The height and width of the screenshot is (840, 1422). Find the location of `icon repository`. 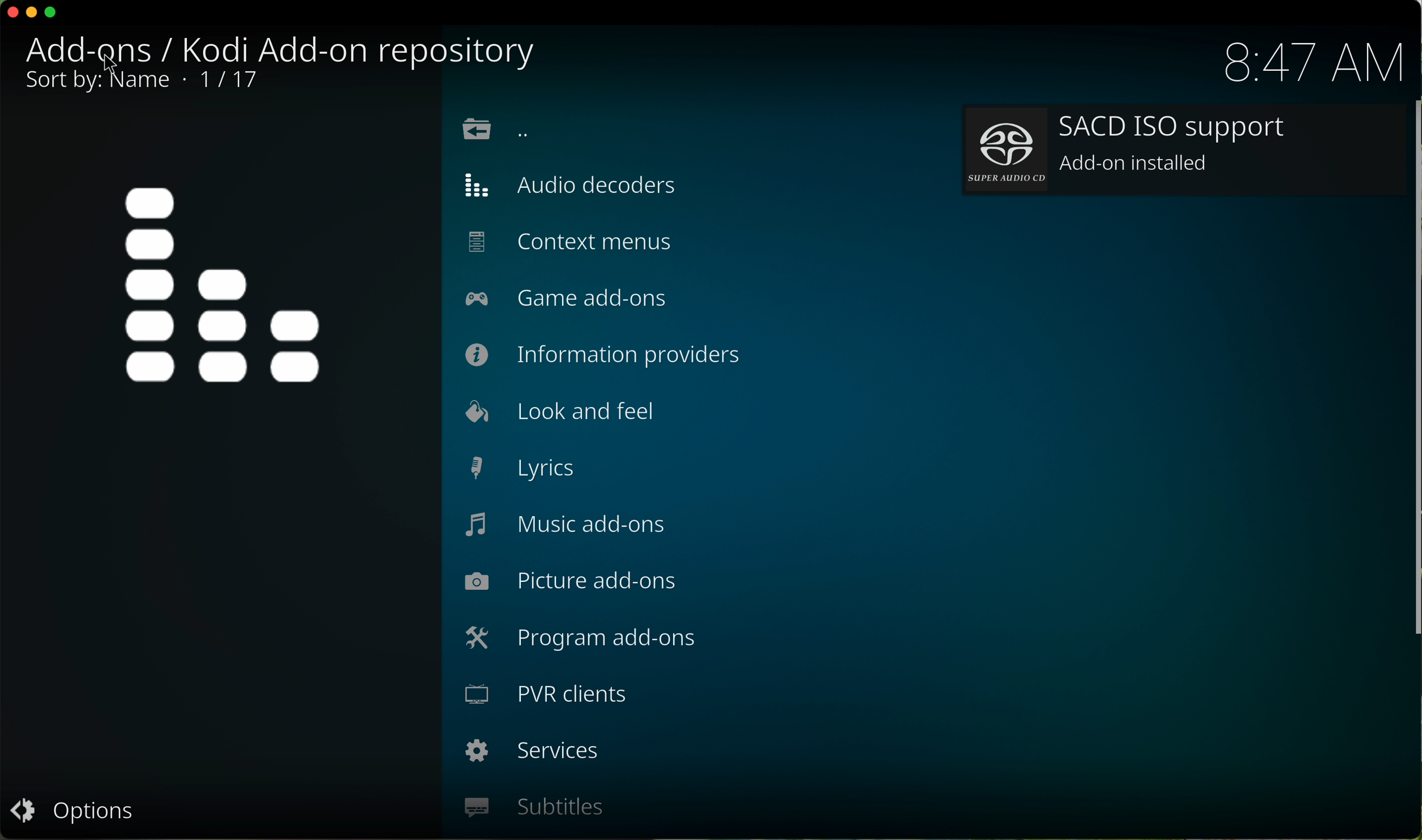

icon repository is located at coordinates (224, 288).